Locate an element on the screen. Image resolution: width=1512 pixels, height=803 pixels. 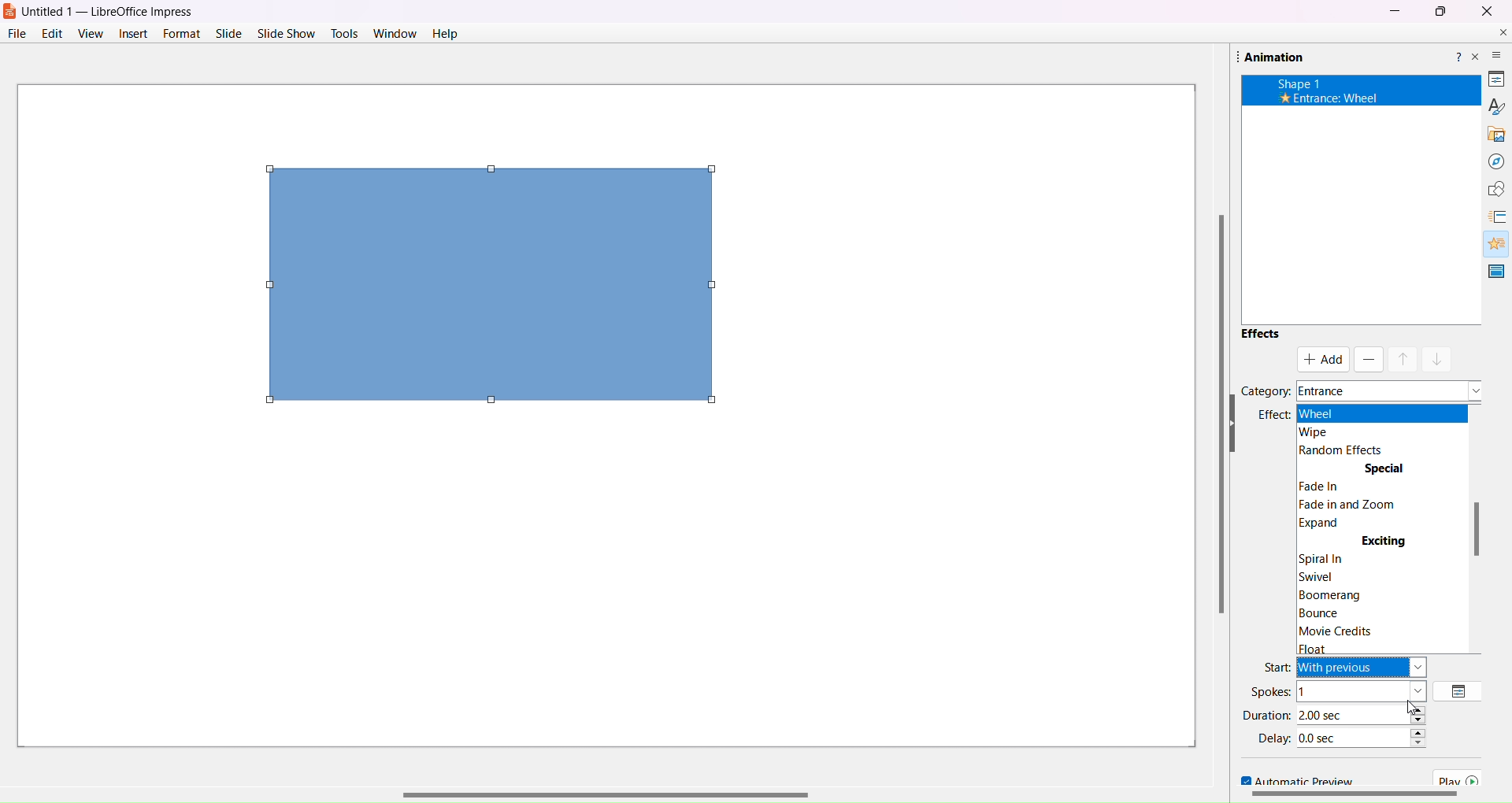
Add is located at coordinates (1325, 359).